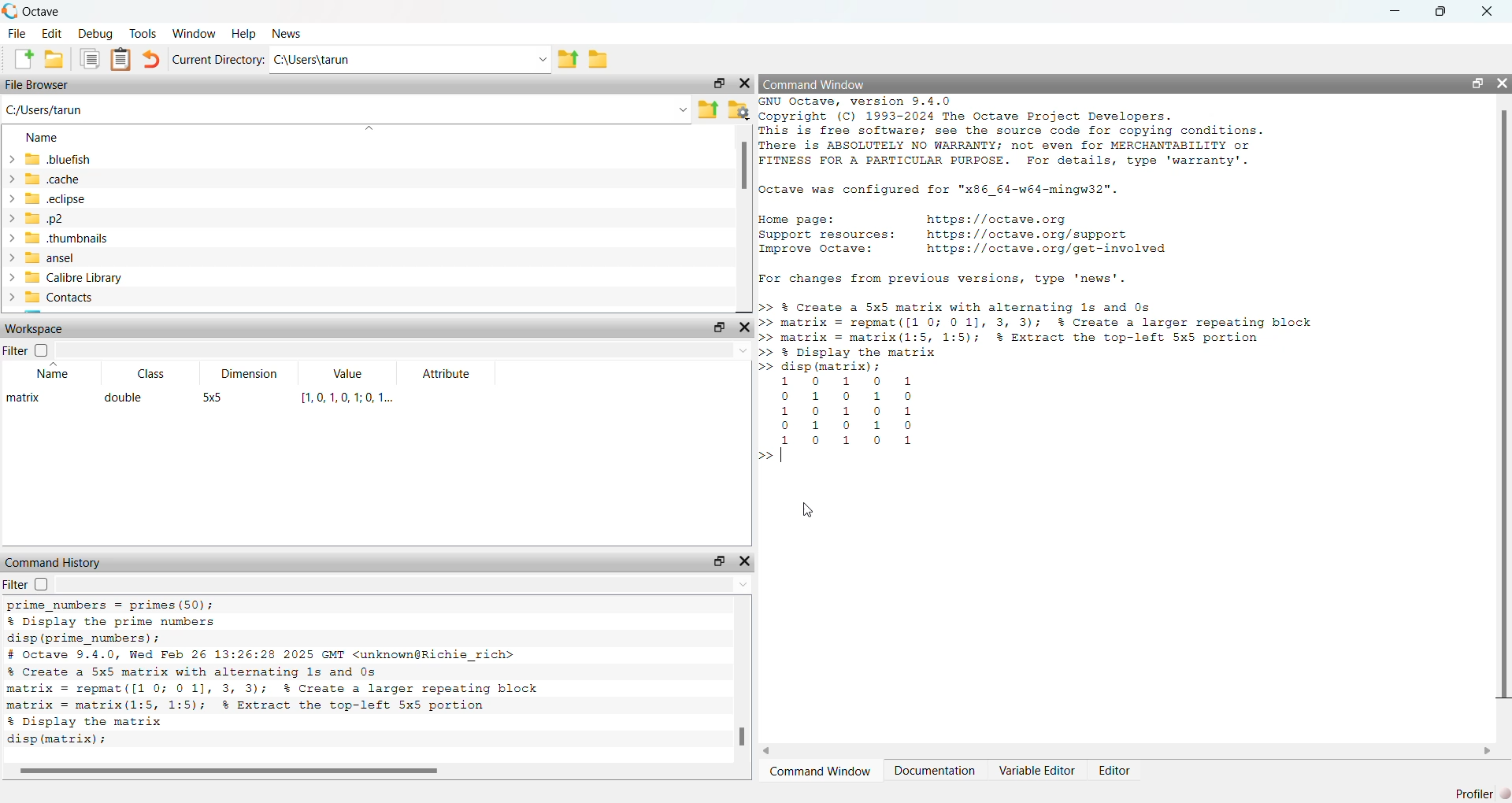 This screenshot has height=803, width=1512. Describe the element at coordinates (745, 327) in the screenshot. I see `close` at that location.